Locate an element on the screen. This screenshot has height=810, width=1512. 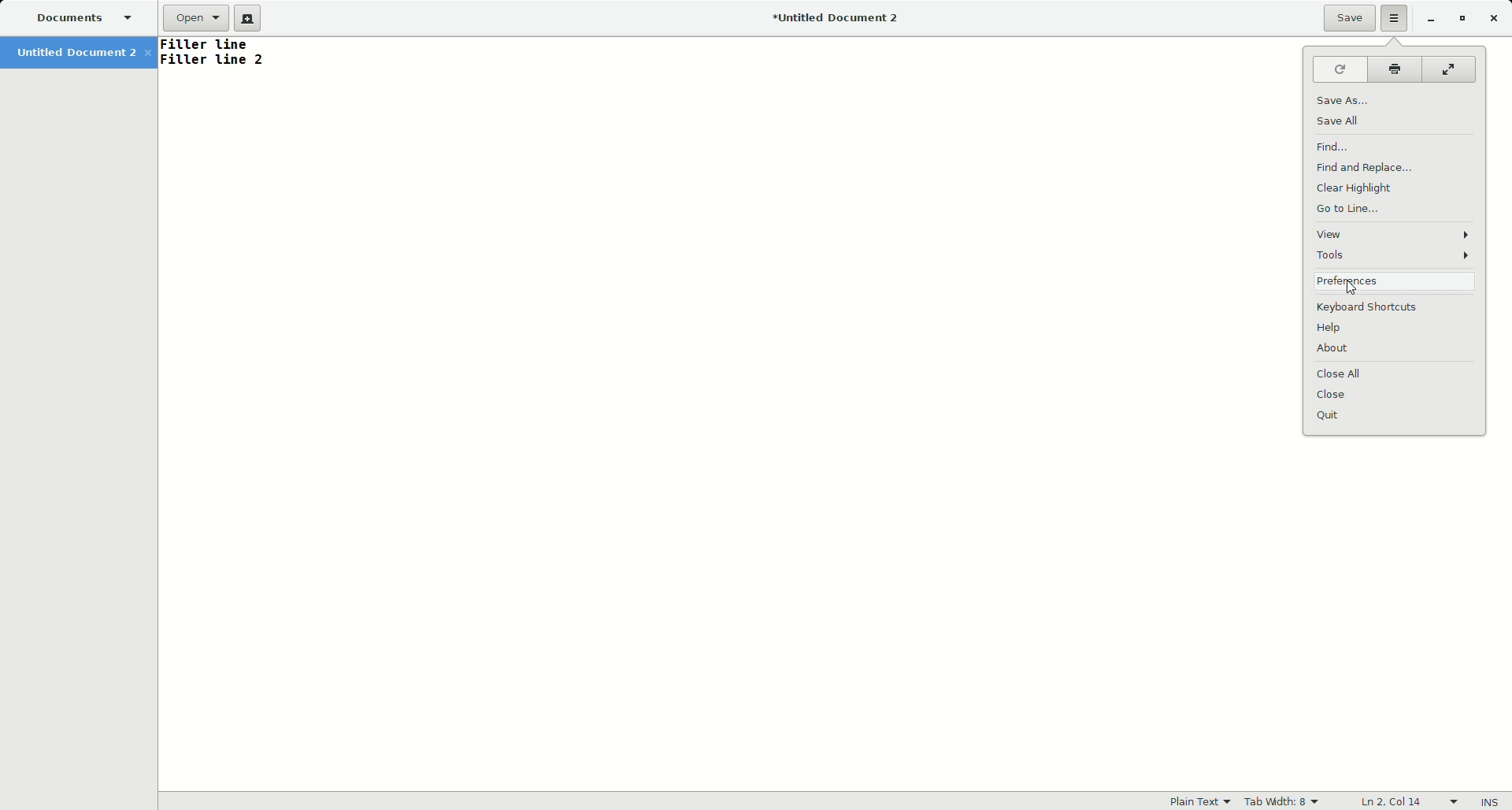
Text line 1 is located at coordinates (215, 45).